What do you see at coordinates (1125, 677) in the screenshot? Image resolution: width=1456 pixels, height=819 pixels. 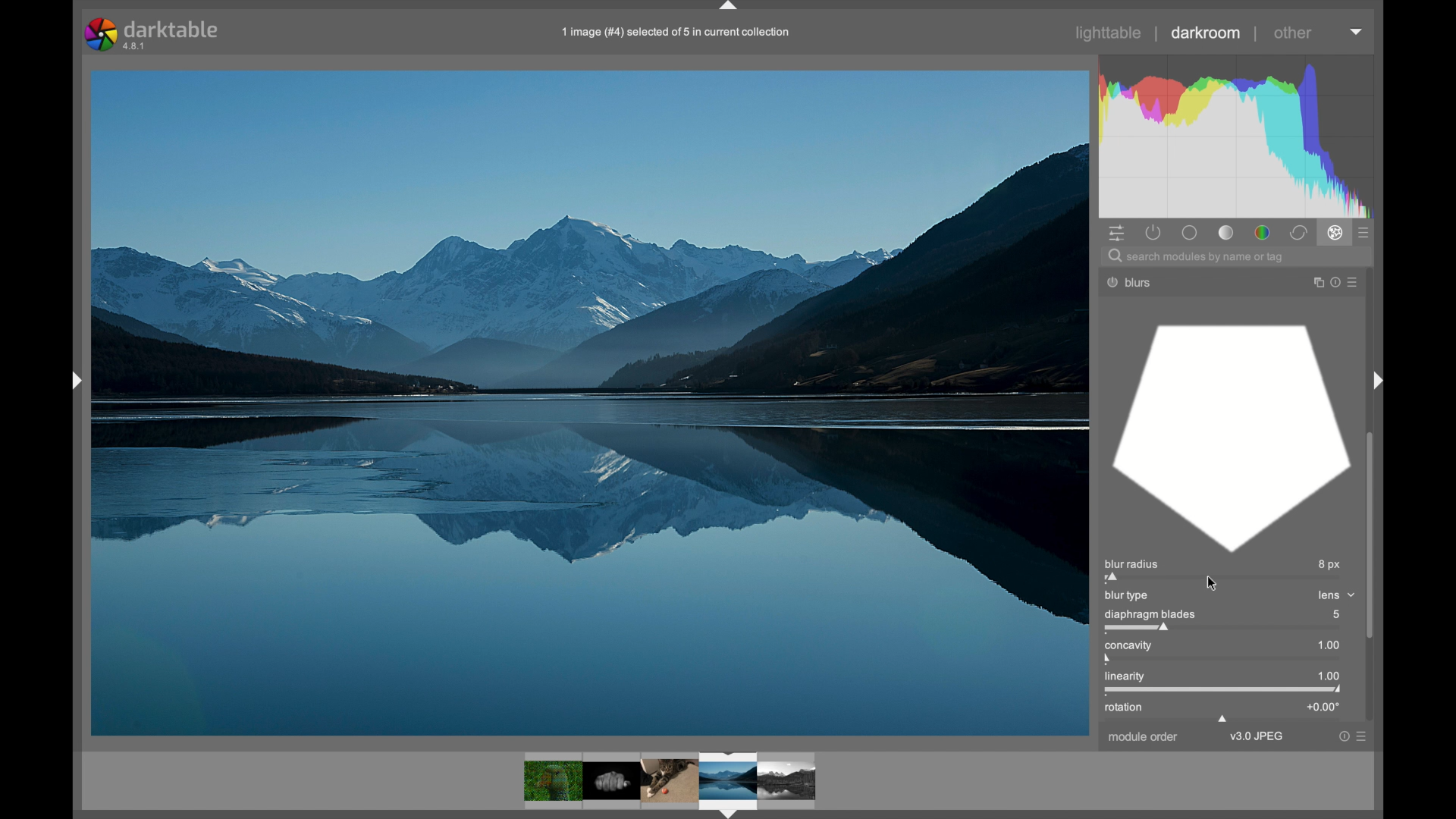 I see `linearity` at bounding box center [1125, 677].